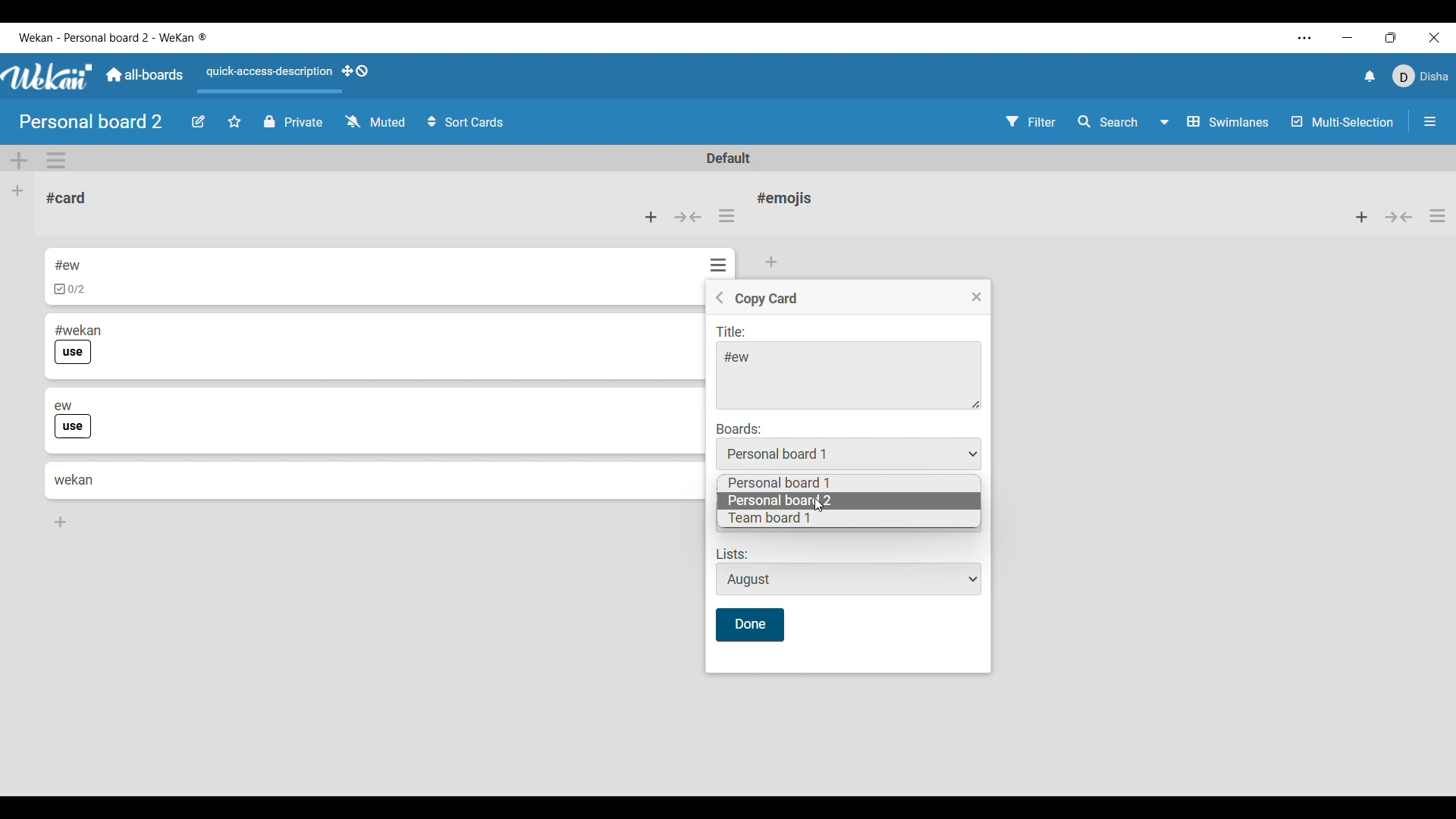 This screenshot has width=1456, height=819. Describe the element at coordinates (766, 300) in the screenshot. I see `Setting name` at that location.